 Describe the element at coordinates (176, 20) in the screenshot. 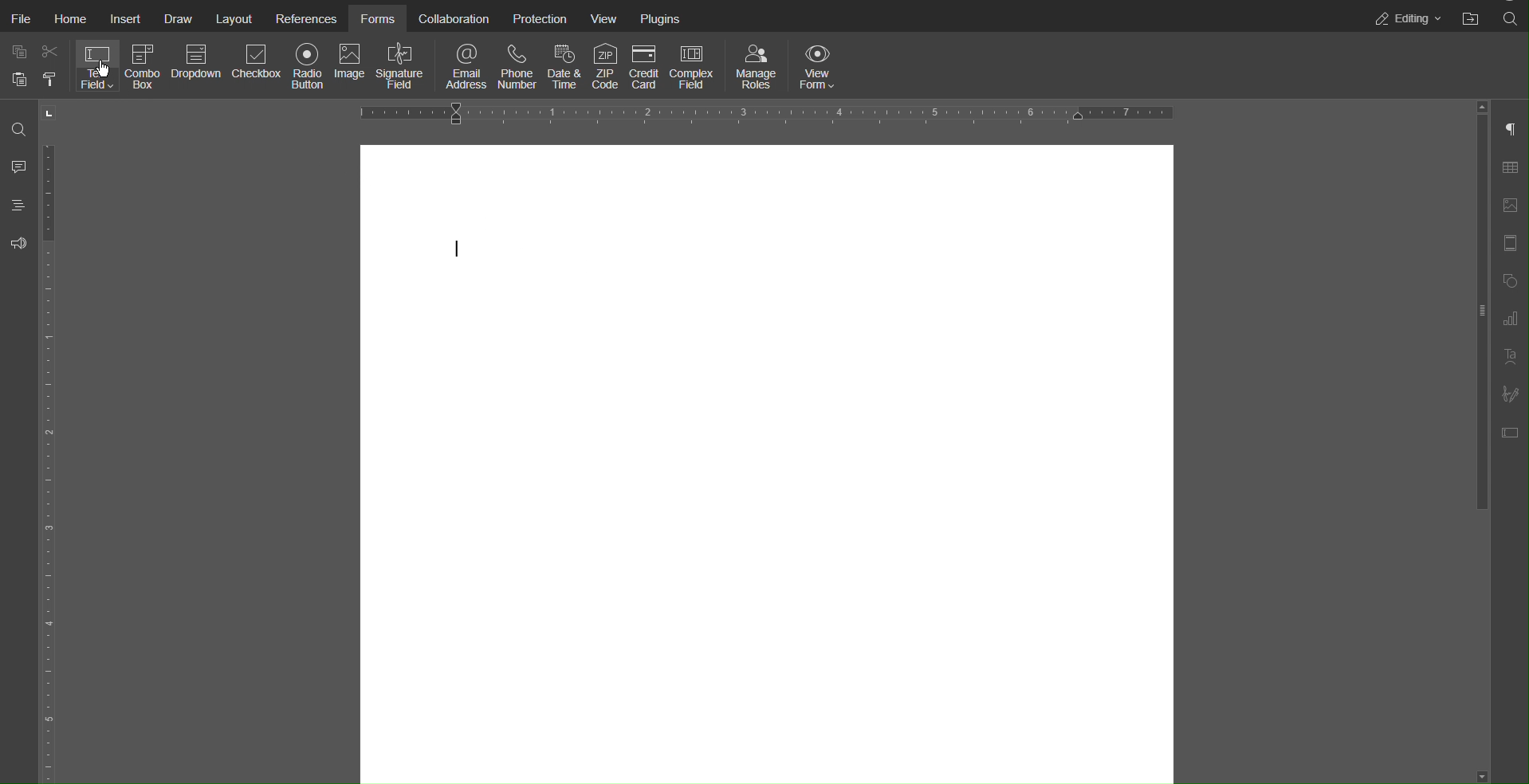

I see `Draw` at that location.